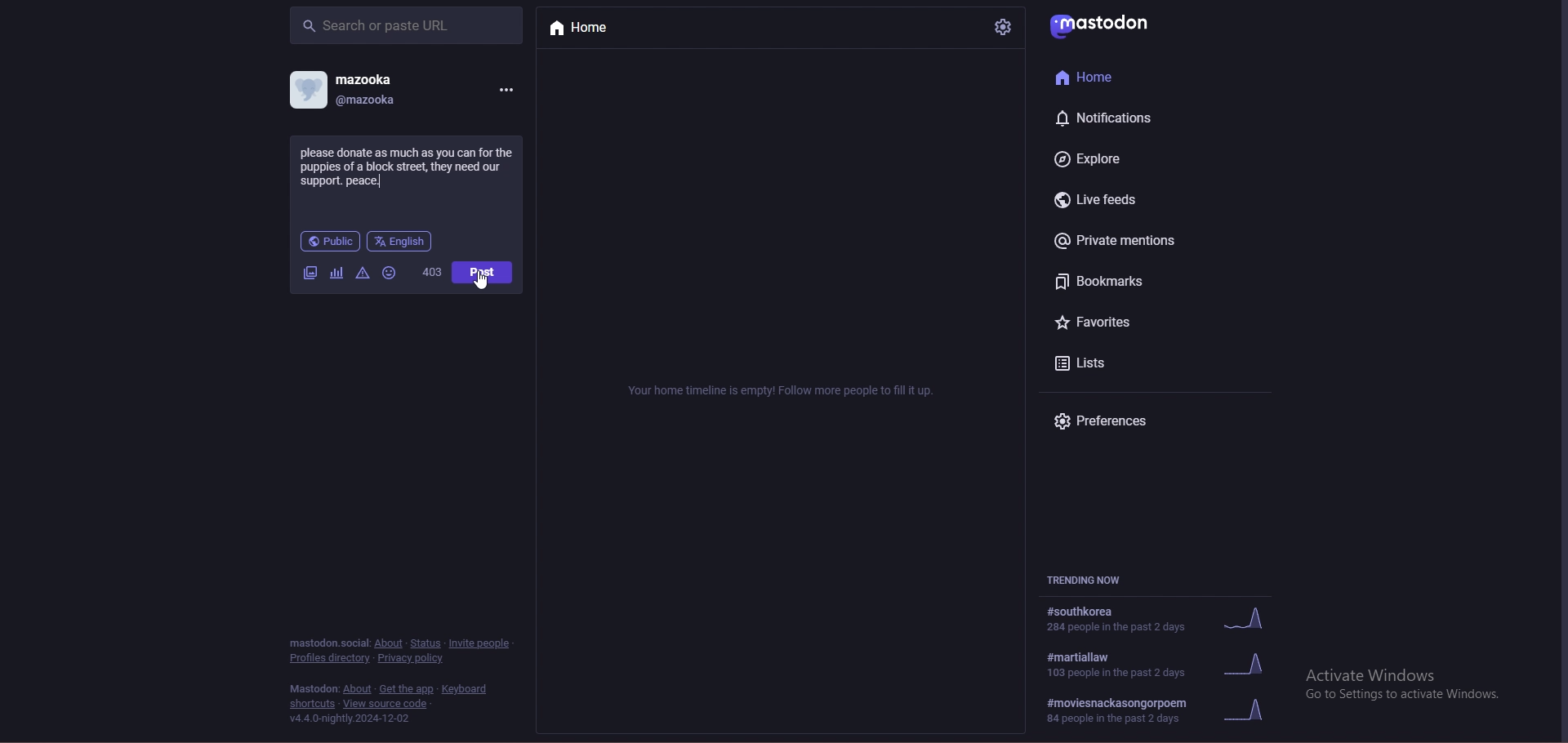  What do you see at coordinates (768, 394) in the screenshot?
I see `Your home timeline is empty! Follow more people to fill it up.` at bounding box center [768, 394].